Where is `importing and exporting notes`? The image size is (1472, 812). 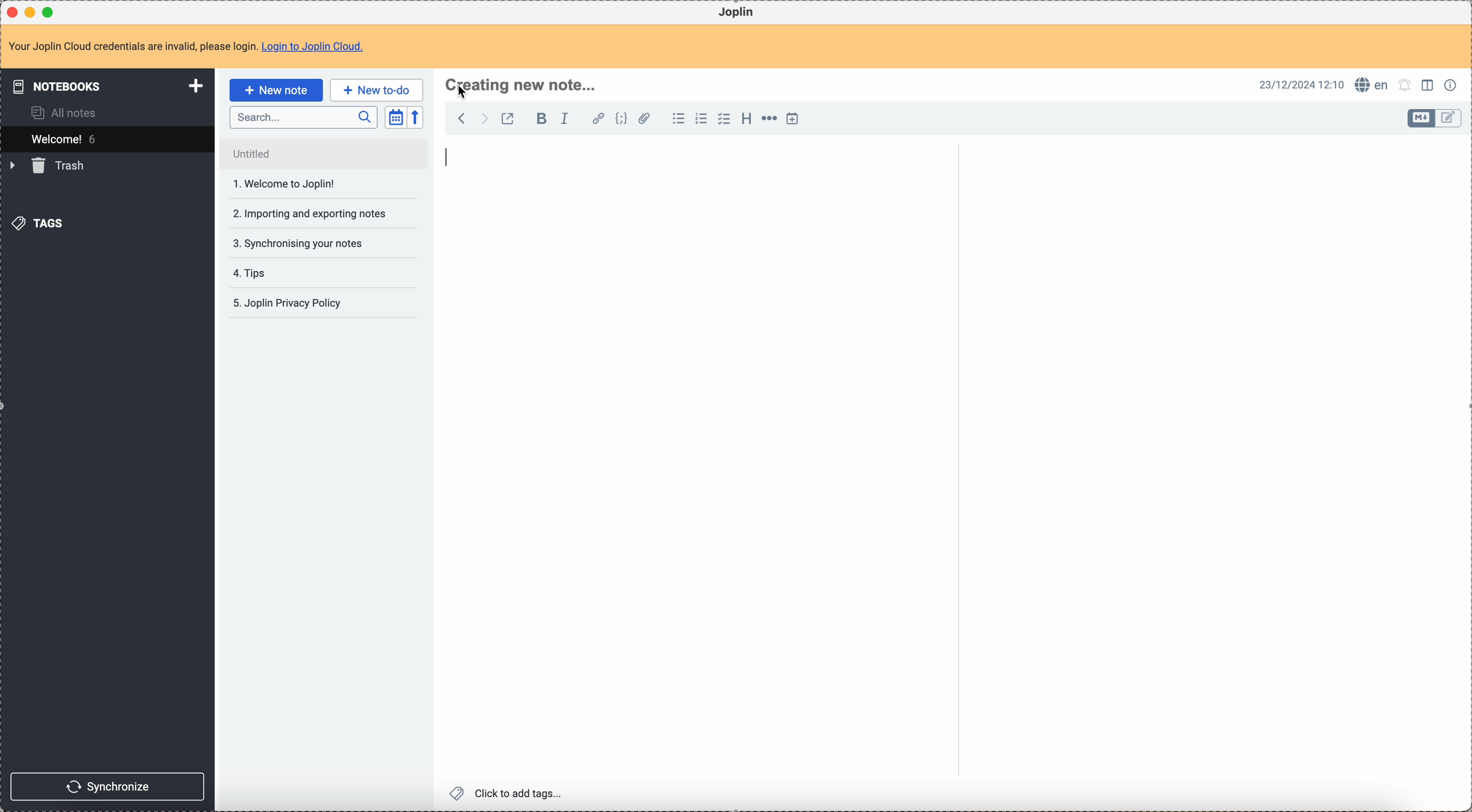
importing and exporting notes is located at coordinates (309, 183).